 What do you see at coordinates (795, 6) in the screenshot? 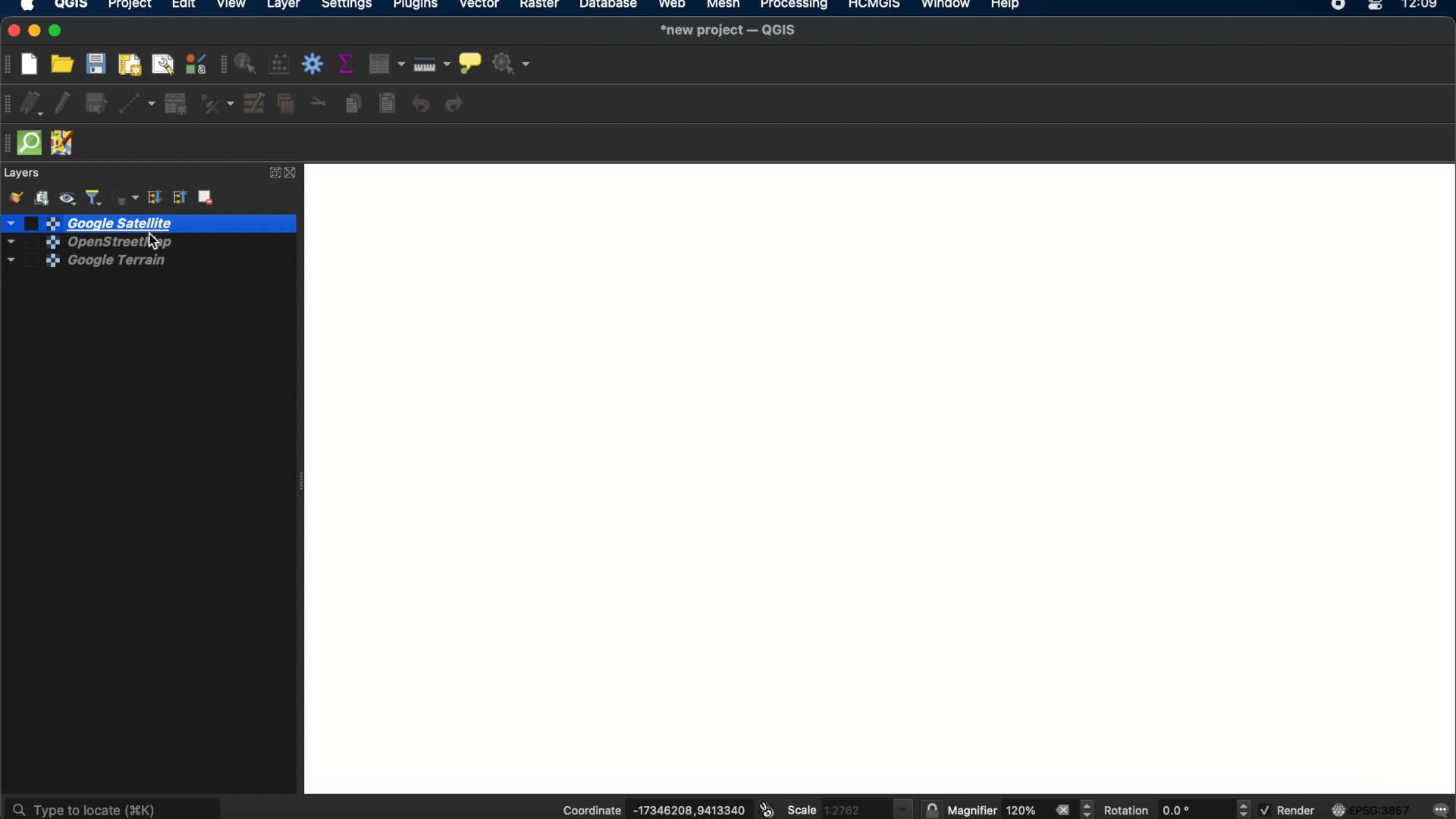
I see `processing` at bounding box center [795, 6].